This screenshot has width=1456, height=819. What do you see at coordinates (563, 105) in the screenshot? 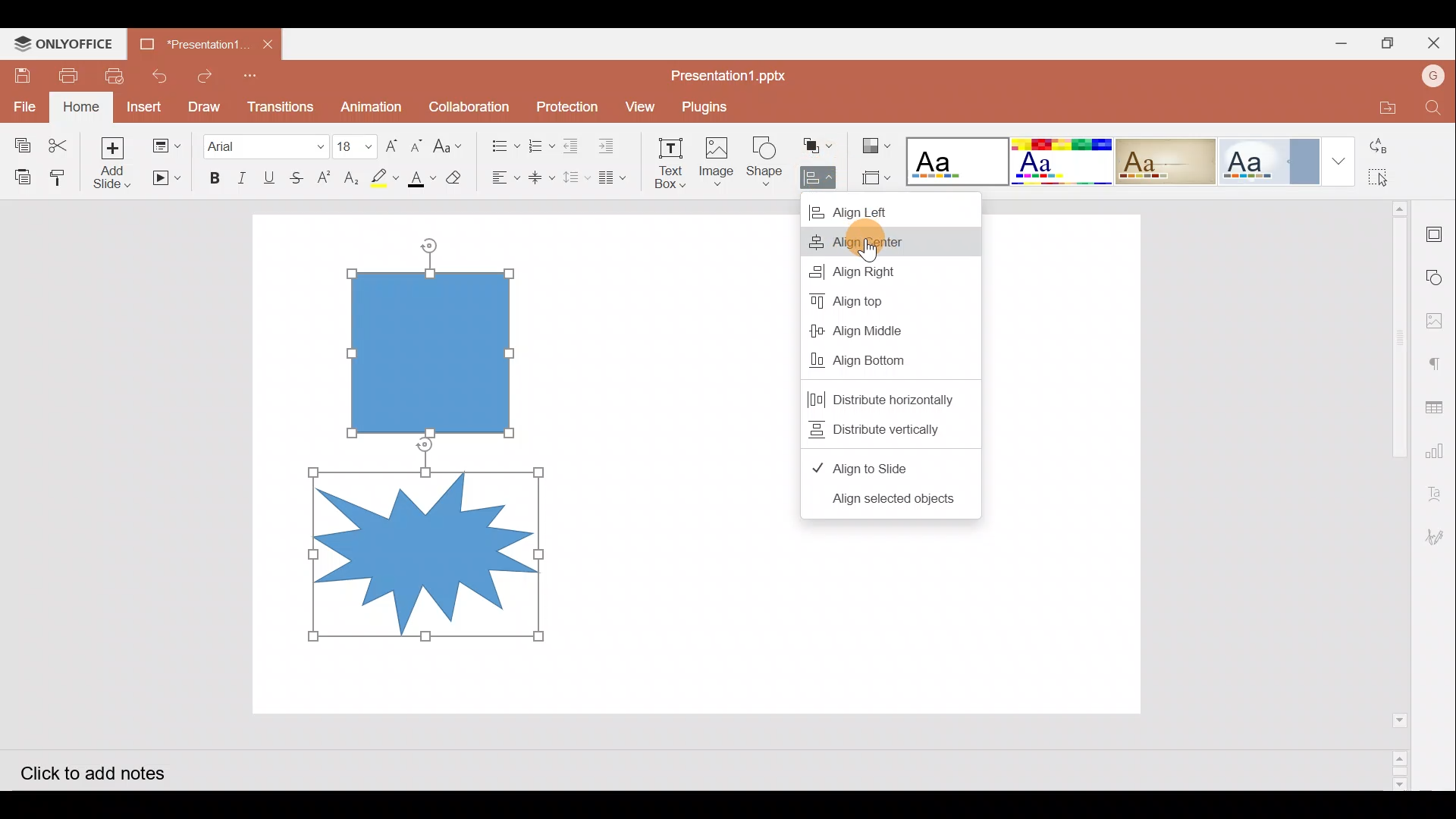
I see `Protection` at bounding box center [563, 105].